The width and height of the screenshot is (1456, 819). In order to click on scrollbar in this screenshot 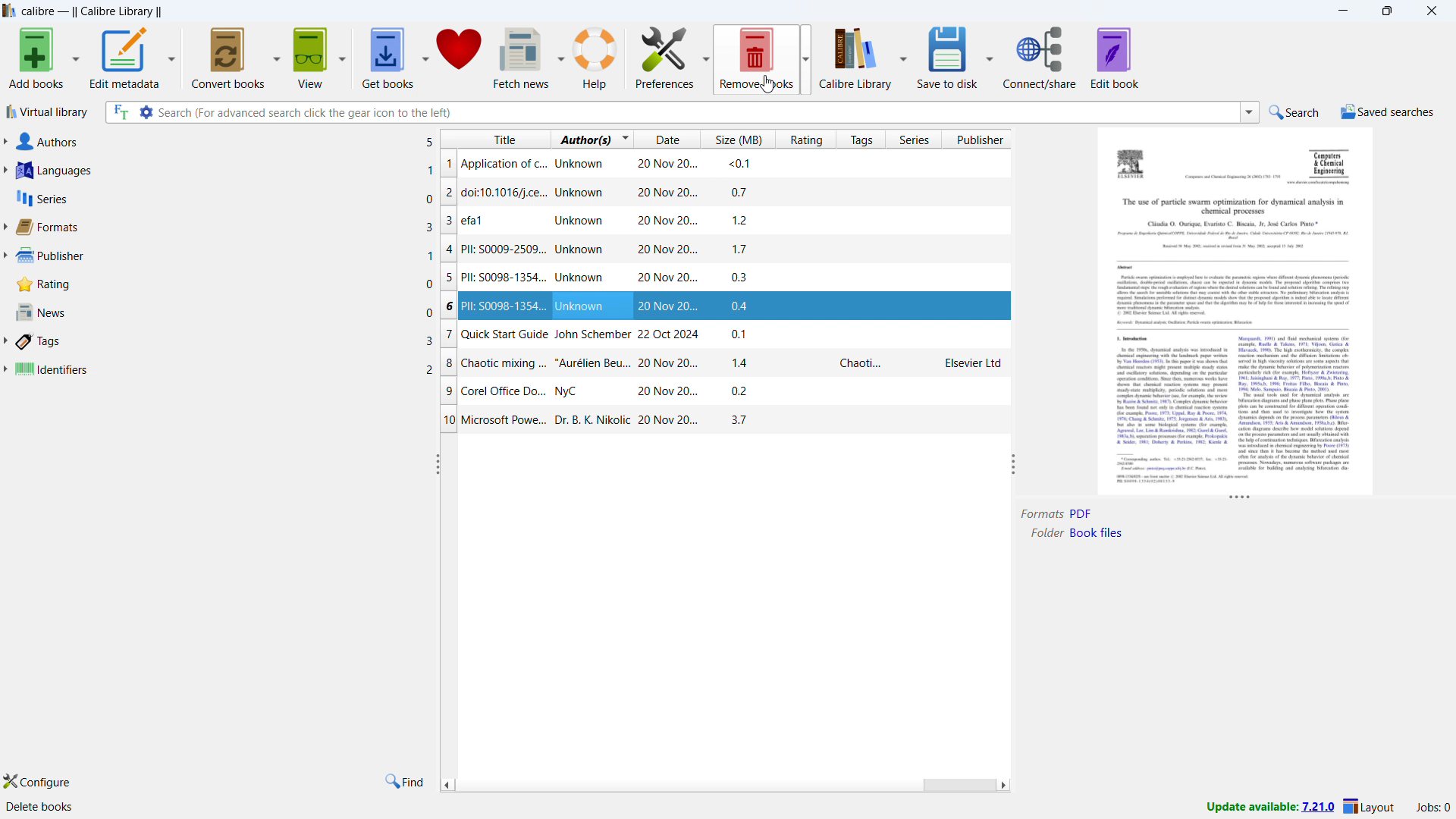, I will do `click(958, 786)`.